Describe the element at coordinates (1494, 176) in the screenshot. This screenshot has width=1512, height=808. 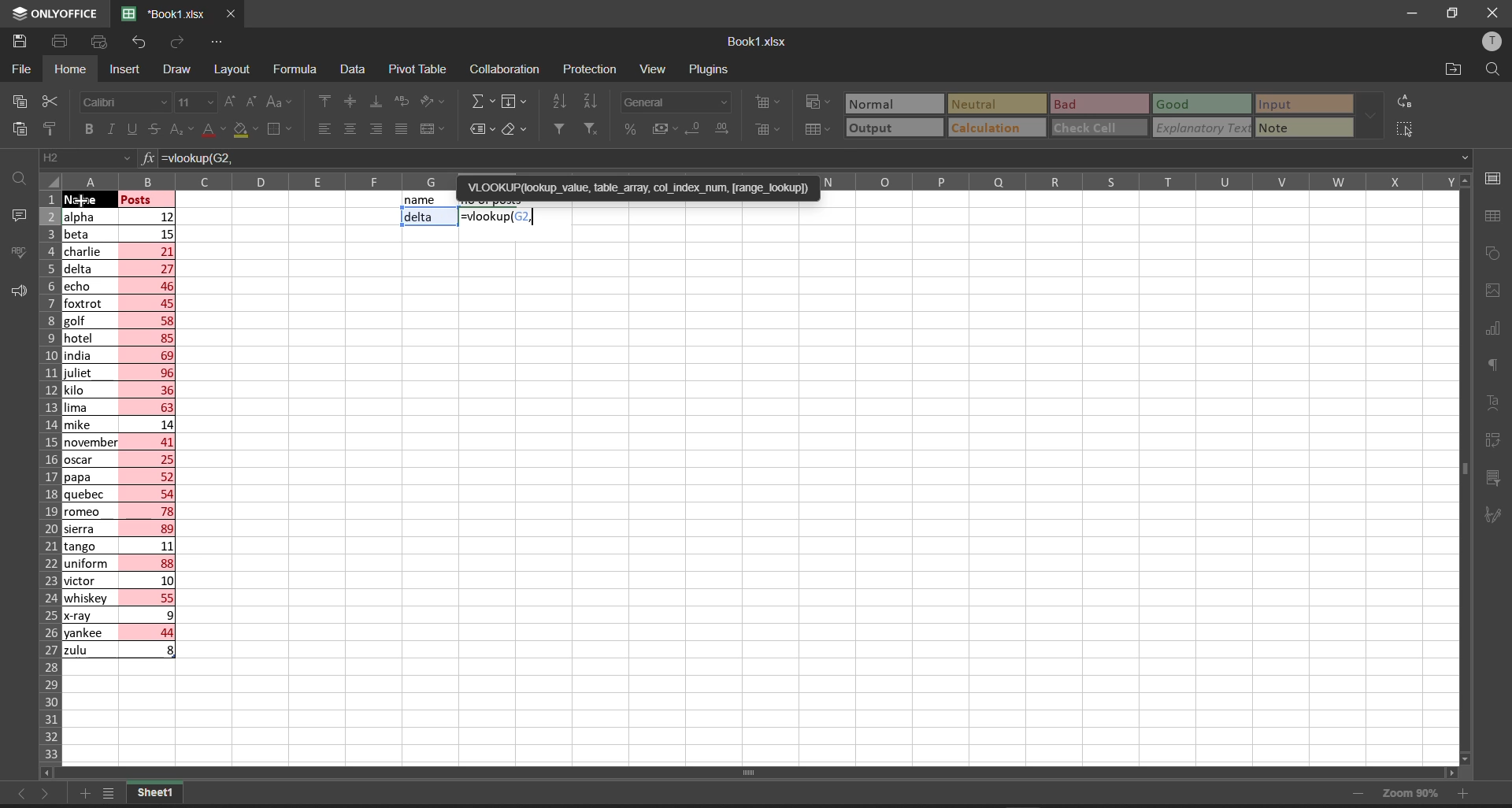
I see `cell settings` at that location.